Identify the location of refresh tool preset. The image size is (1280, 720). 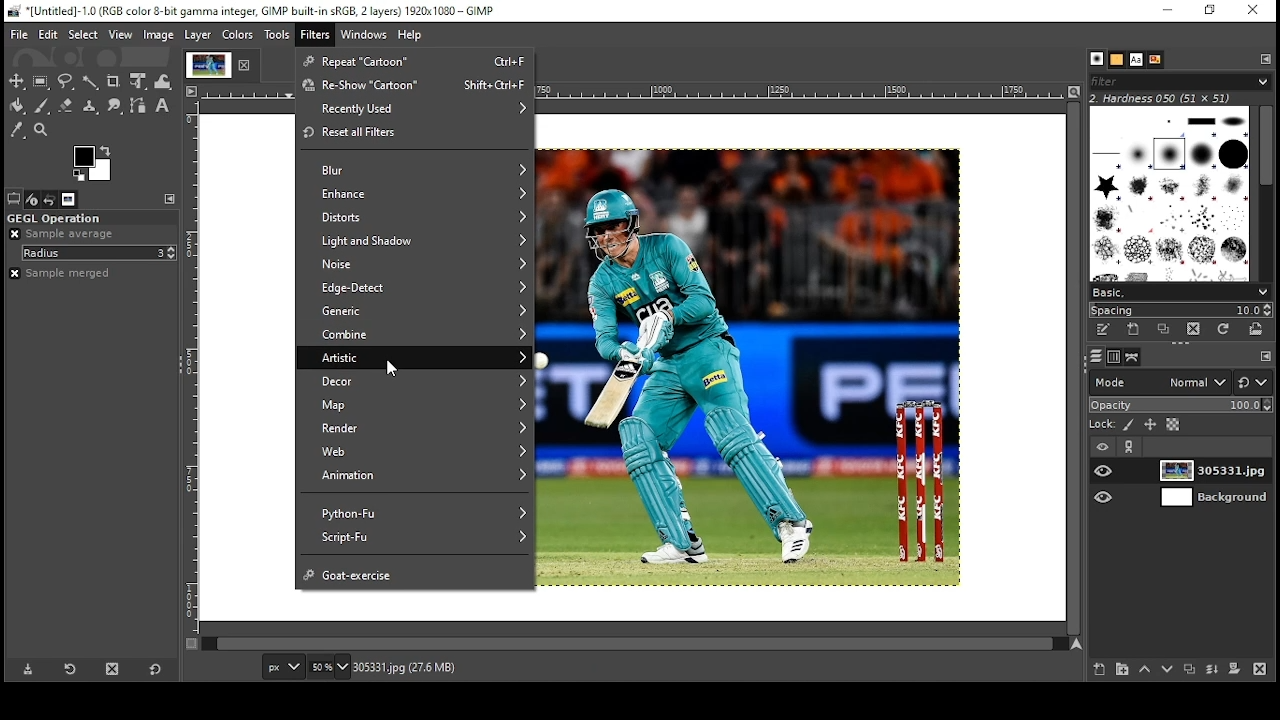
(71, 670).